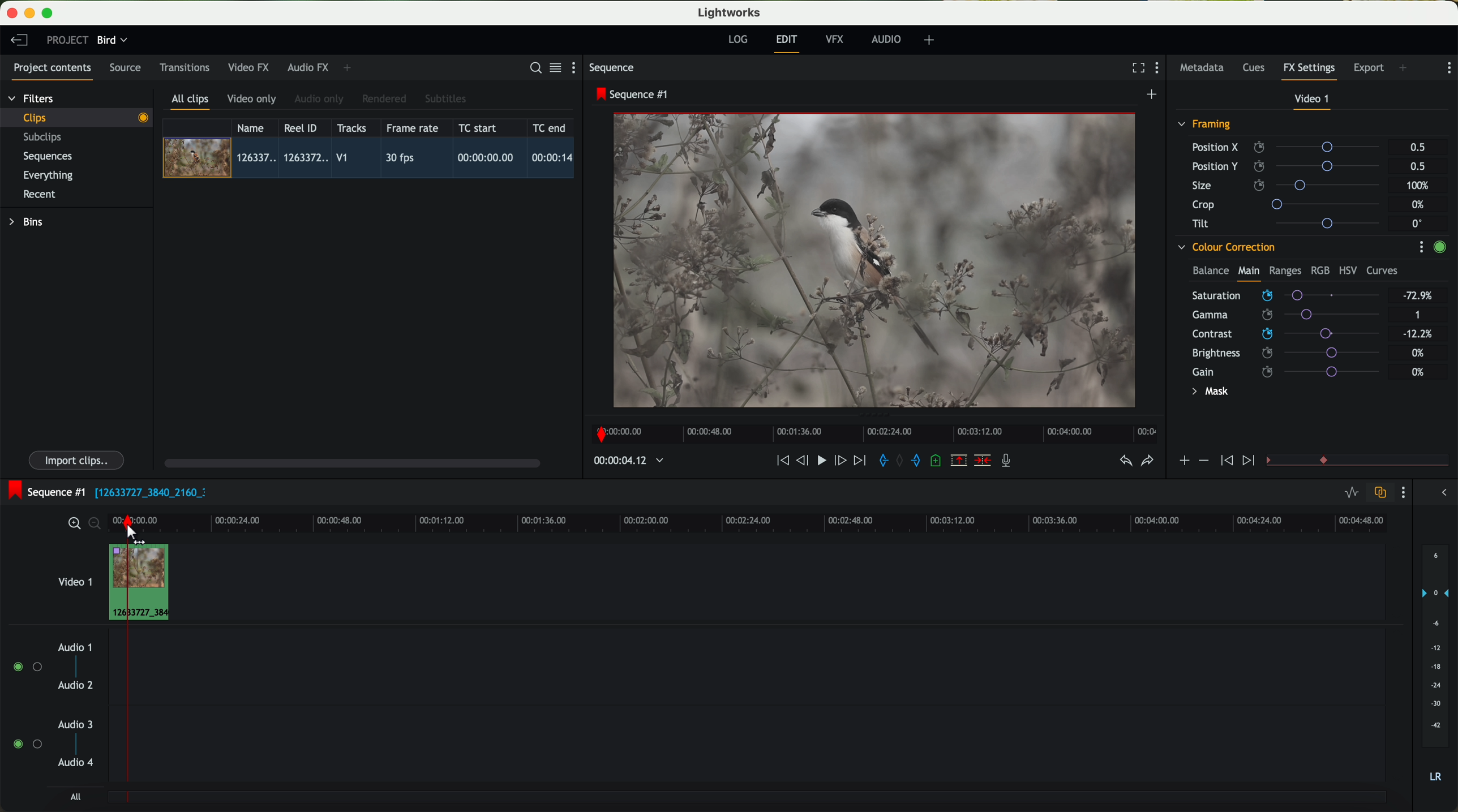 The height and width of the screenshot is (812, 1458). What do you see at coordinates (1136, 67) in the screenshot?
I see `fullscreen` at bounding box center [1136, 67].